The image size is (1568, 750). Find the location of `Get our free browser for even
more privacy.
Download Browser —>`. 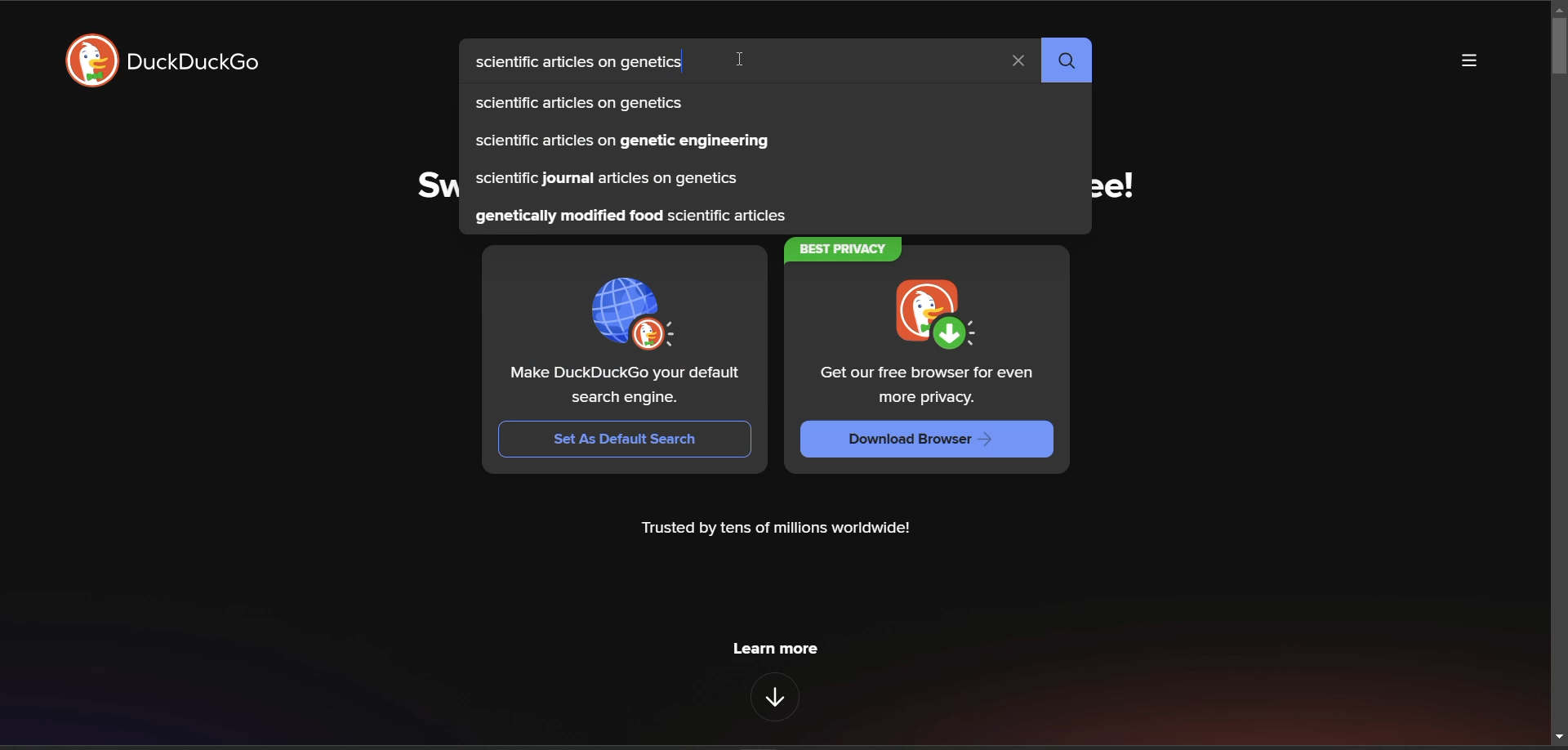

Get our free browser for even
more privacy.
Download Browser —> is located at coordinates (922, 365).